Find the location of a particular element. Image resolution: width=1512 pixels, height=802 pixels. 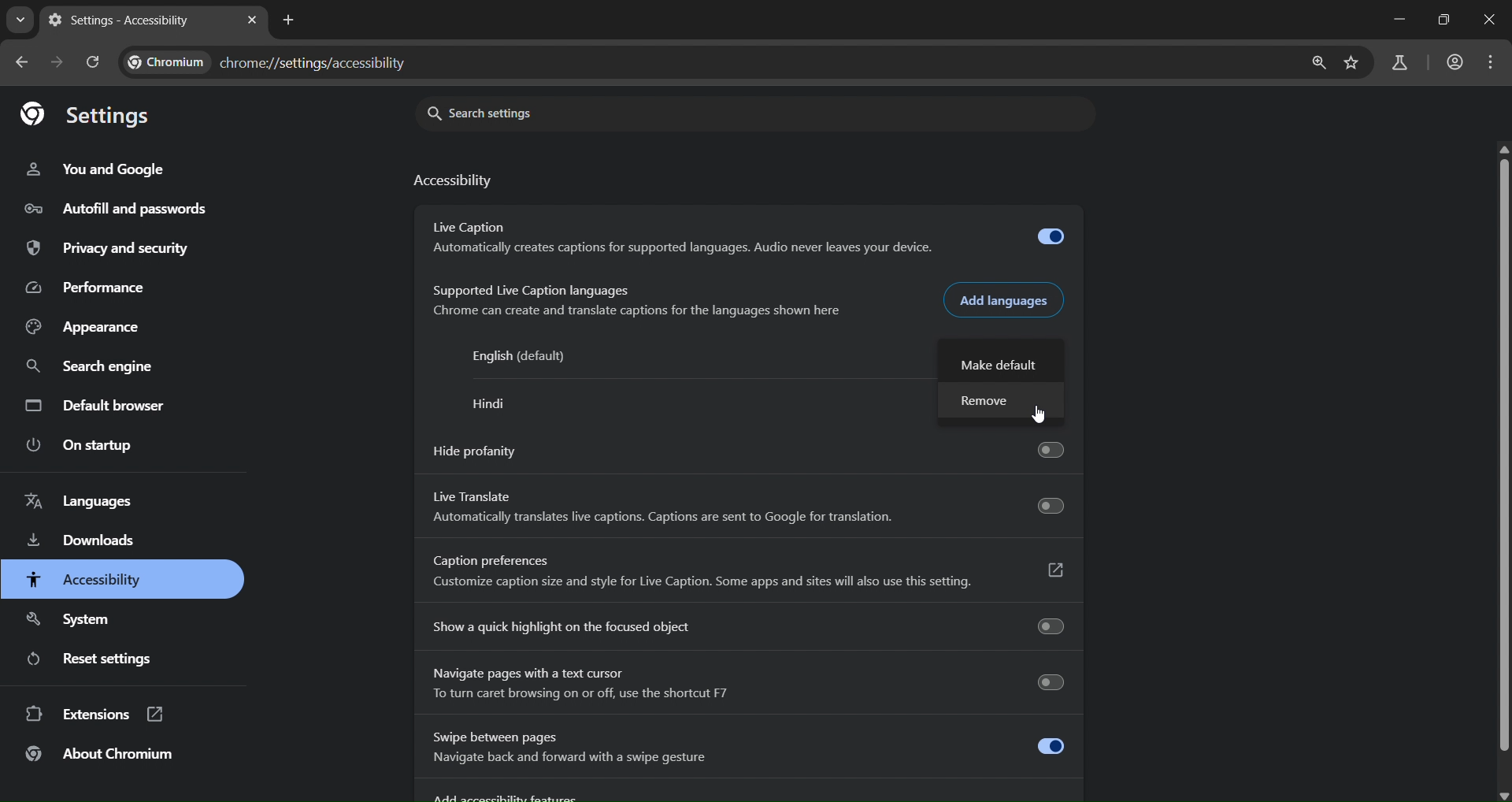

search engine is located at coordinates (91, 366).